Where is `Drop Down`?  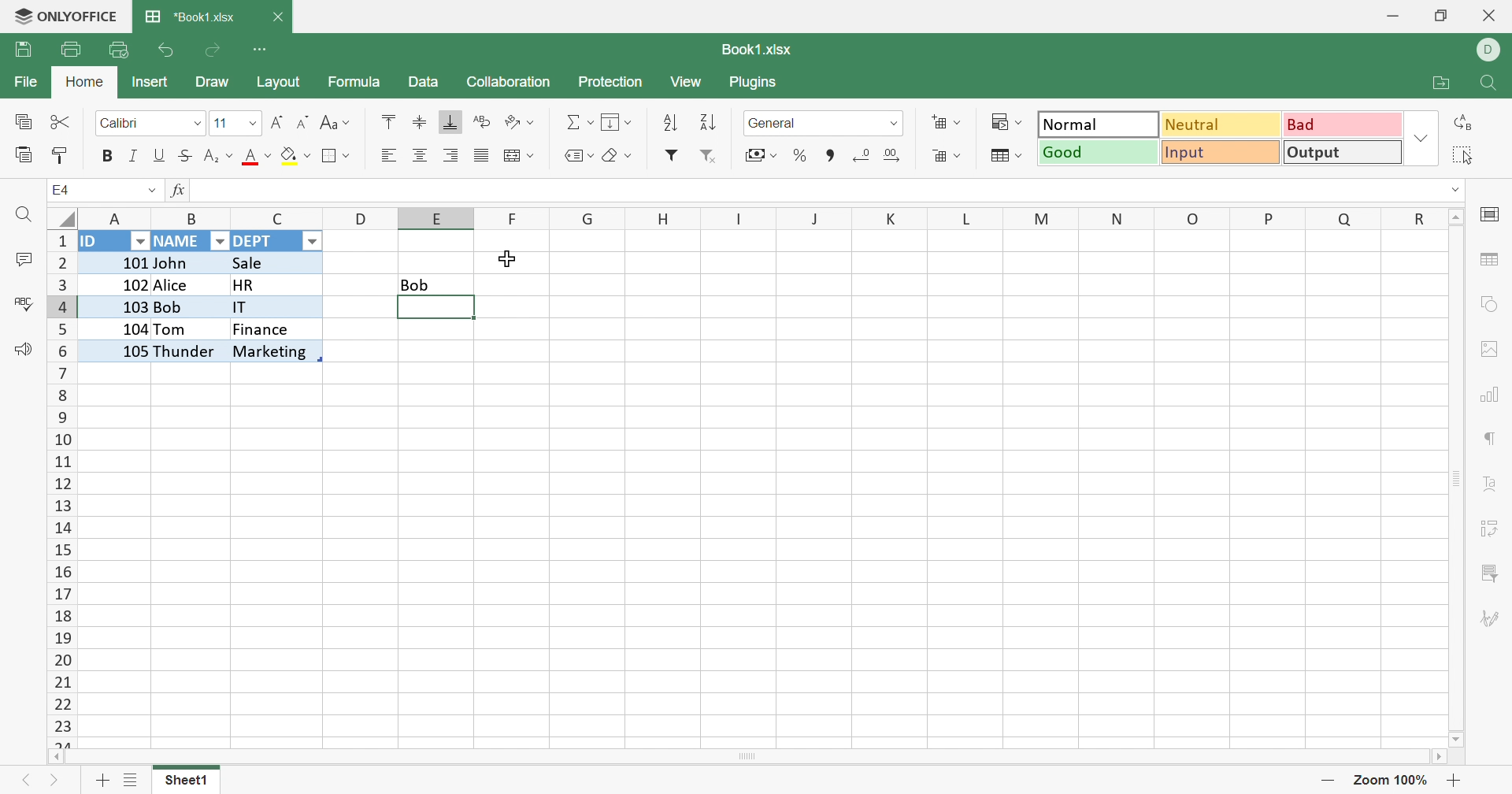 Drop Down is located at coordinates (891, 124).